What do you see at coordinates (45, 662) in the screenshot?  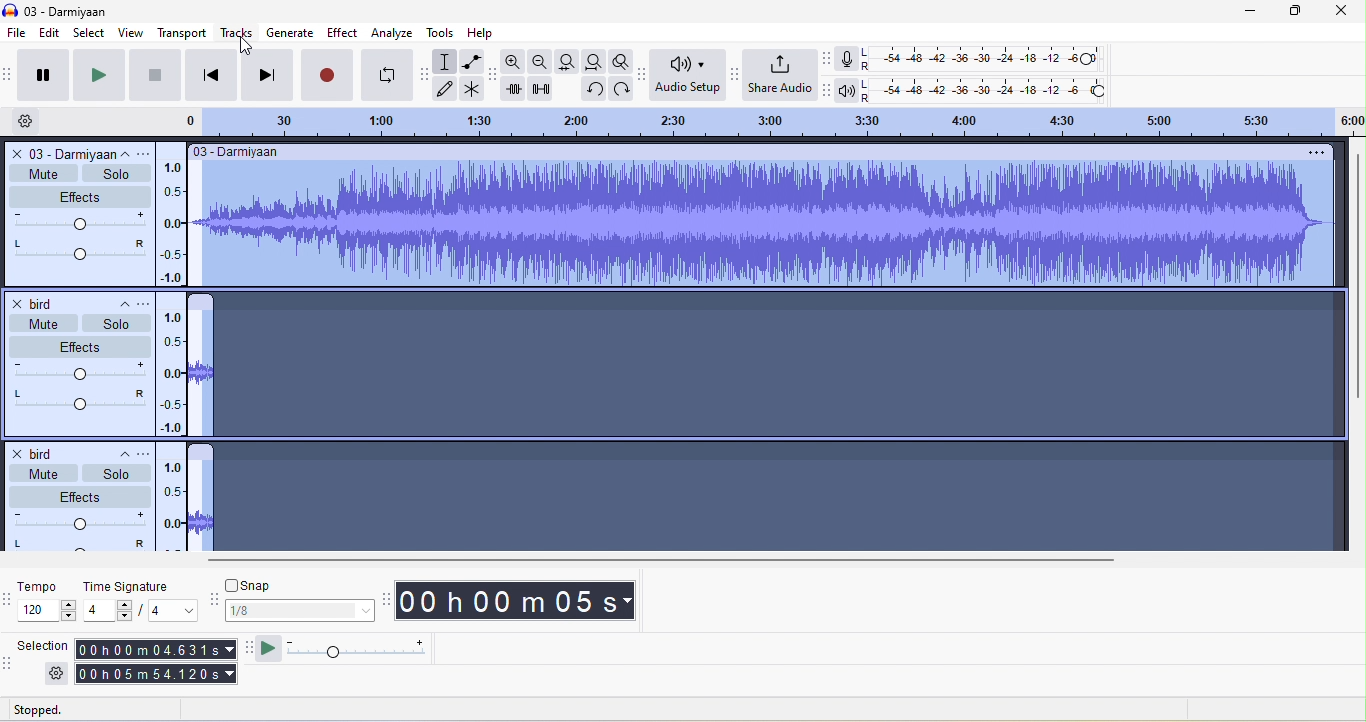 I see `selection` at bounding box center [45, 662].